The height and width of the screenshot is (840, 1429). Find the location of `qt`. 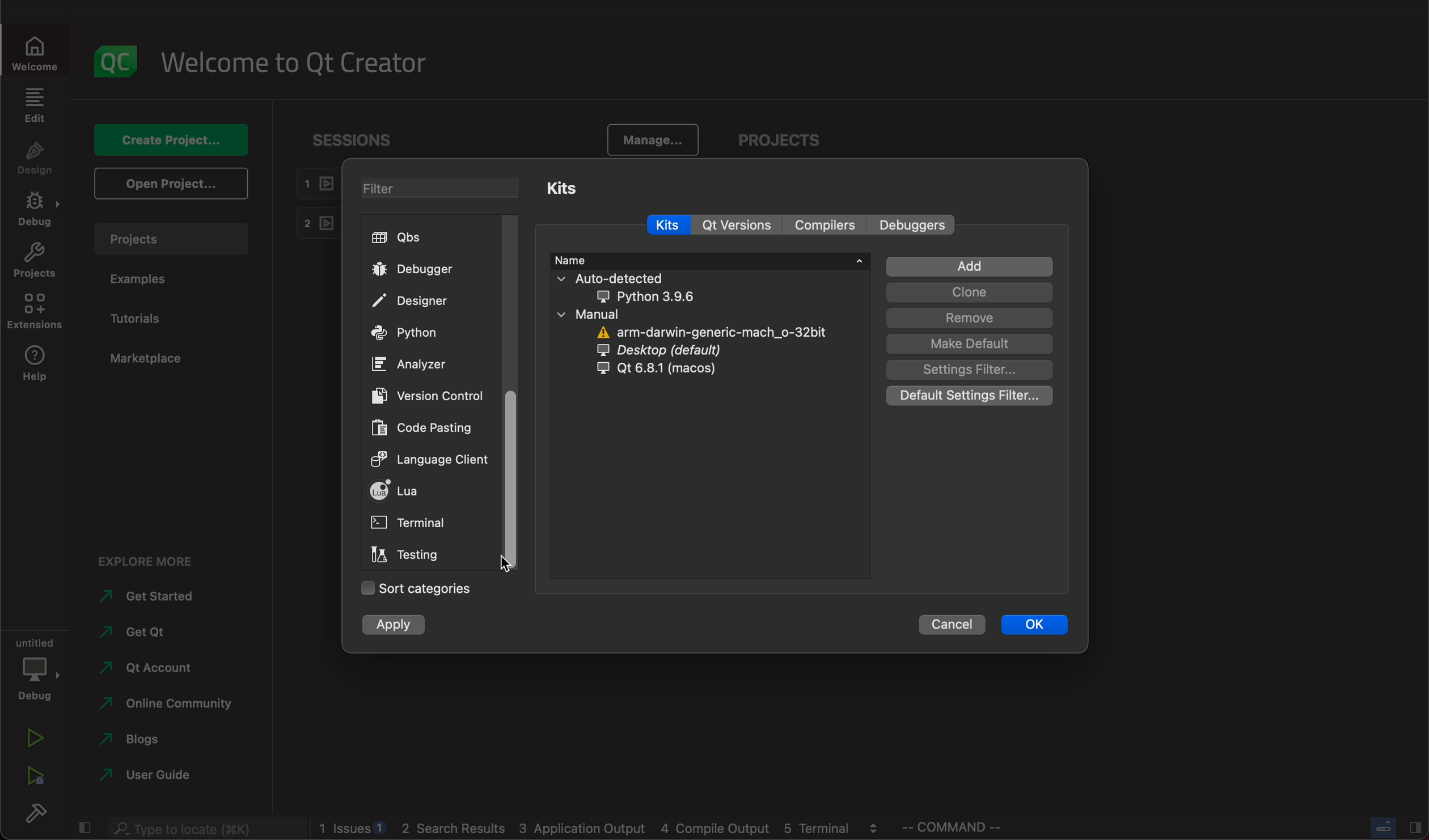

qt is located at coordinates (667, 374).